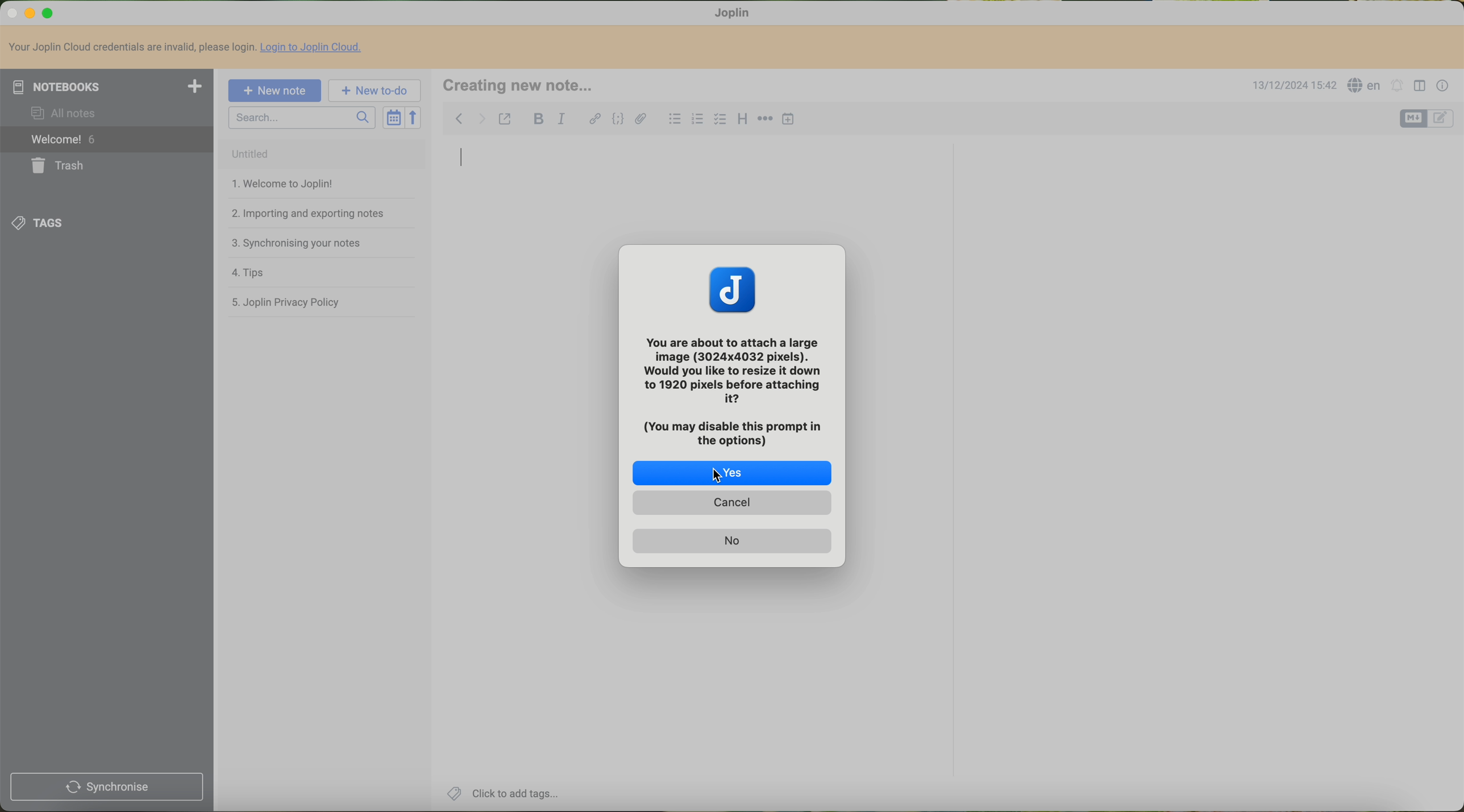  What do you see at coordinates (525, 86) in the screenshot?
I see `creating new note` at bounding box center [525, 86].